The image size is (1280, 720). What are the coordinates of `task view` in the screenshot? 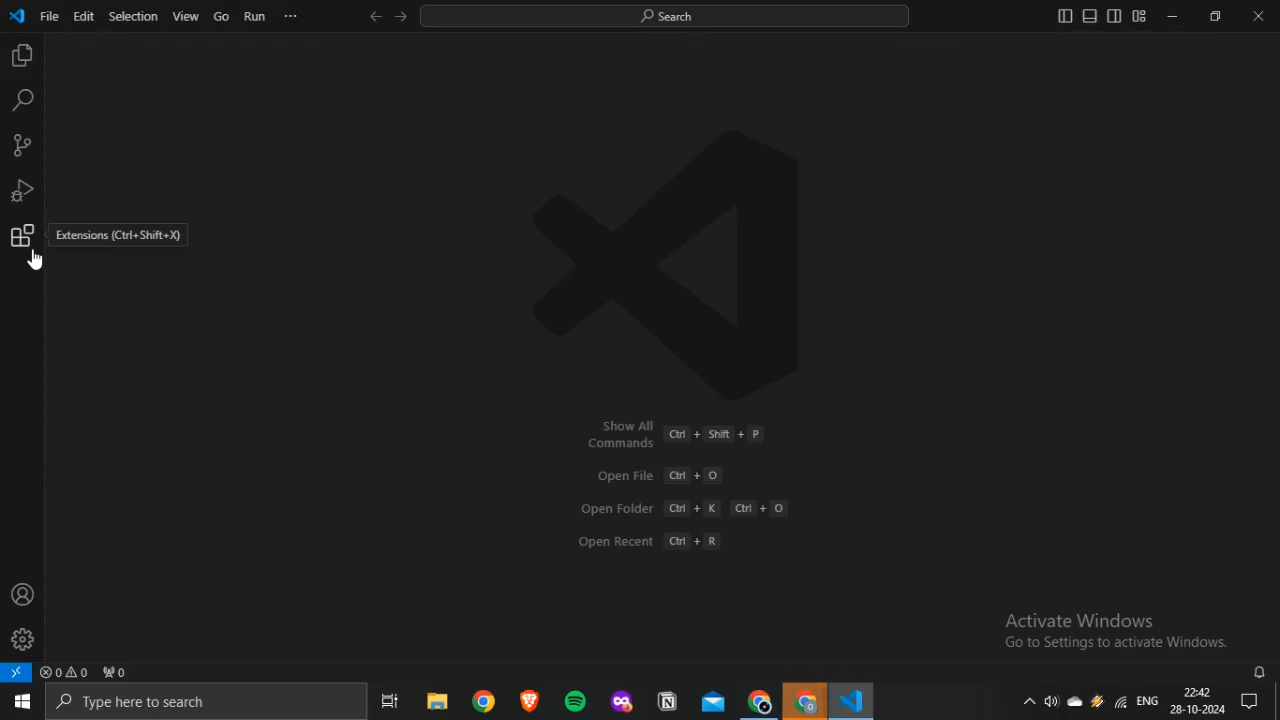 It's located at (391, 700).